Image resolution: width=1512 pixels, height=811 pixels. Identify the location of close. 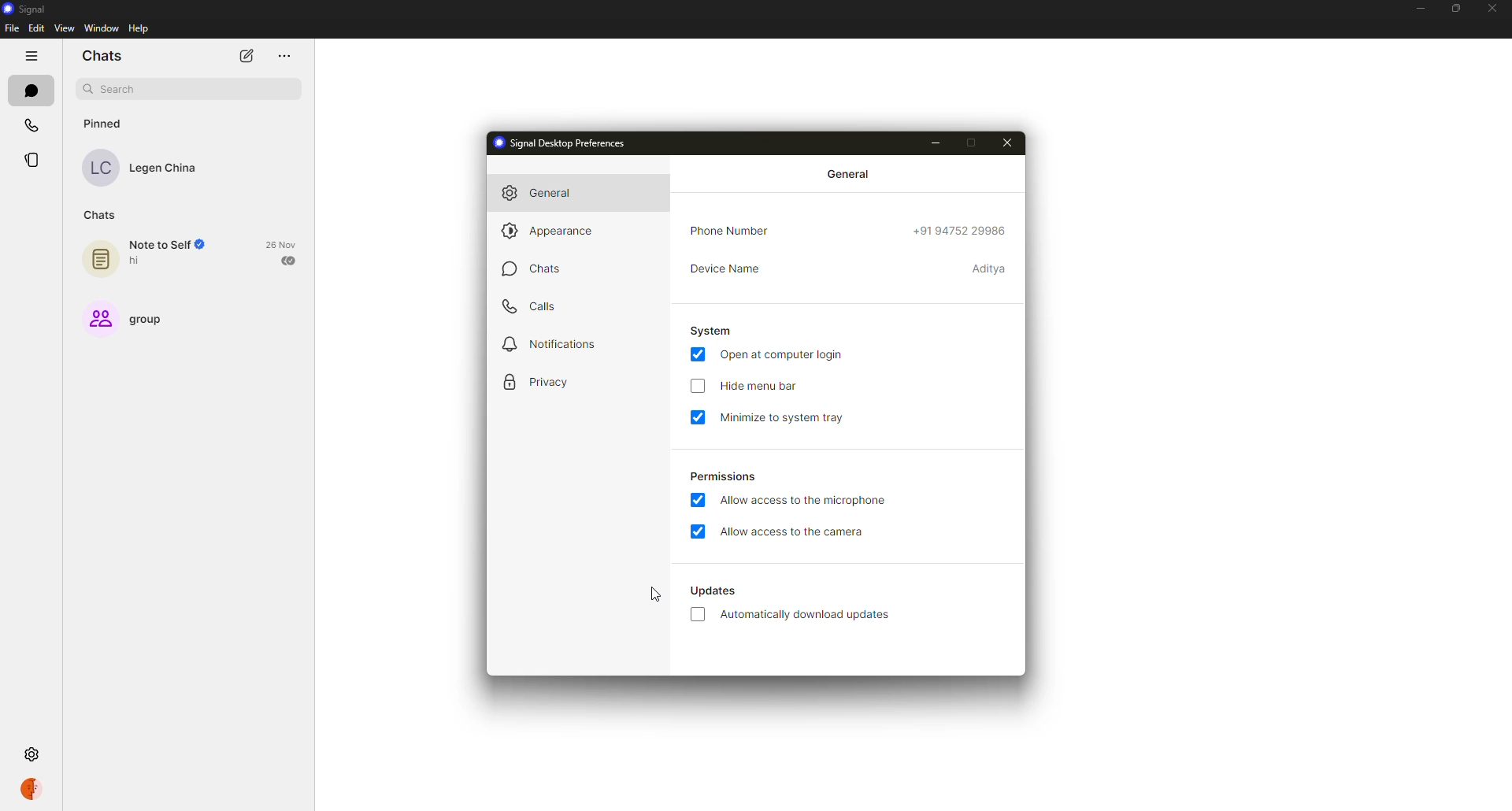
(1007, 143).